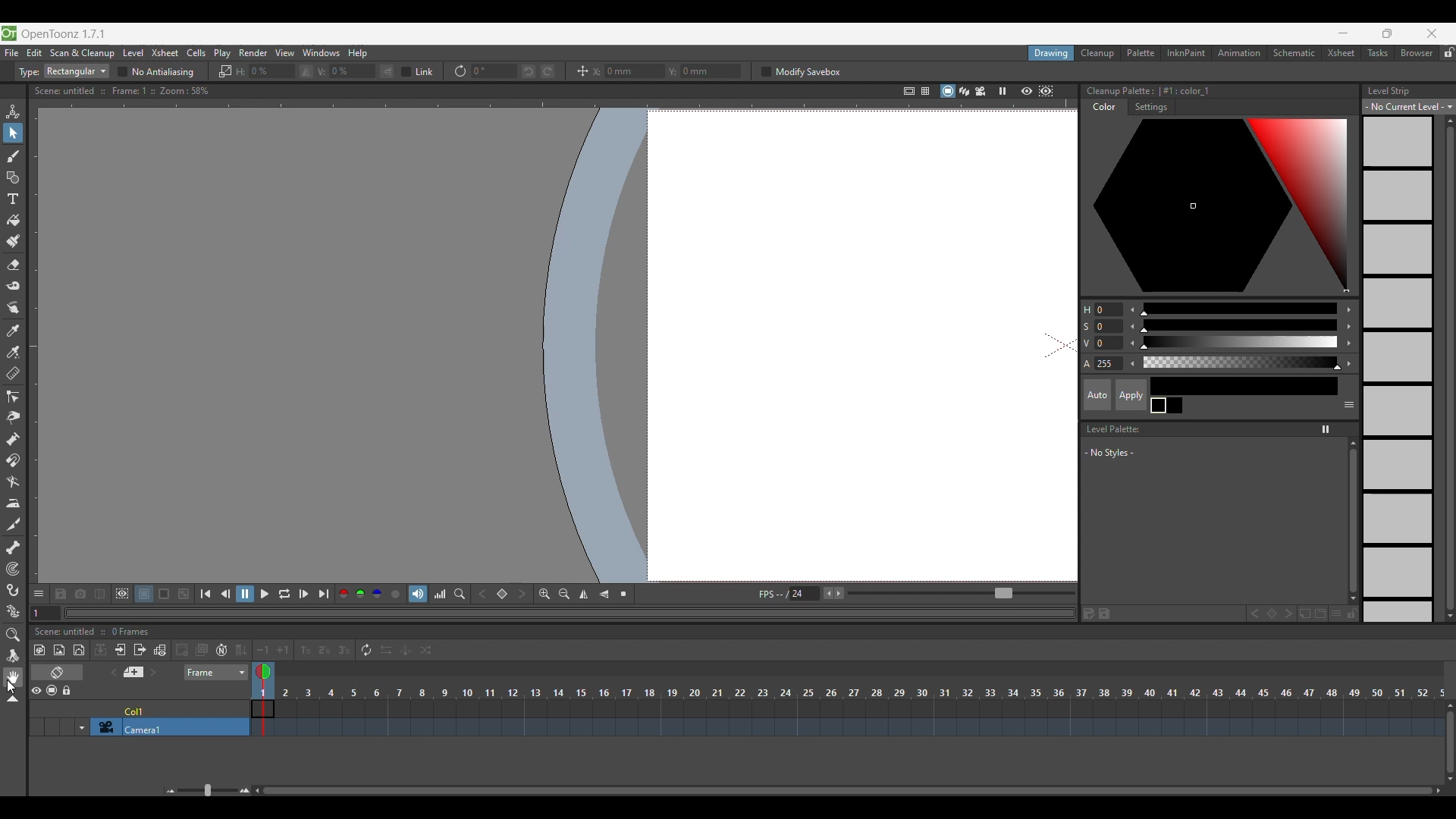 The height and width of the screenshot is (819, 1456). Describe the element at coordinates (13, 372) in the screenshot. I see `Ruler tool` at that location.